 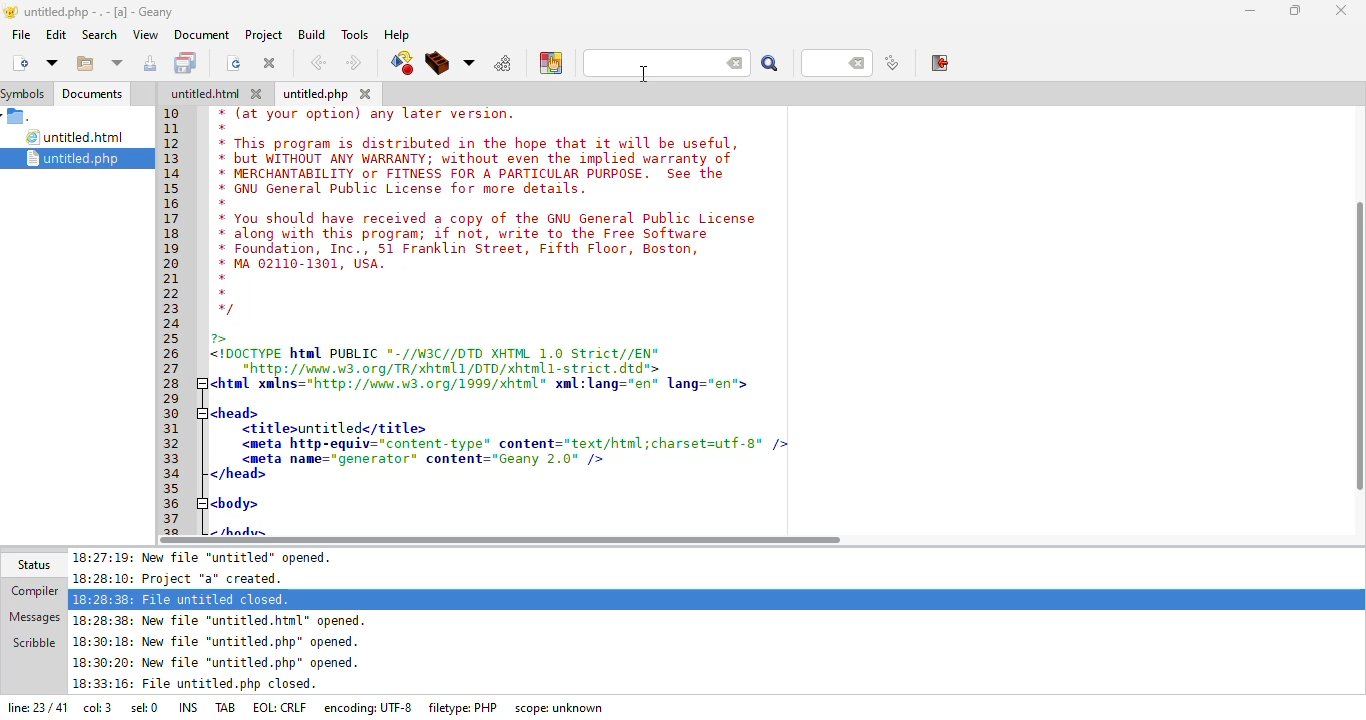 What do you see at coordinates (500, 540) in the screenshot?
I see `scroll bar` at bounding box center [500, 540].